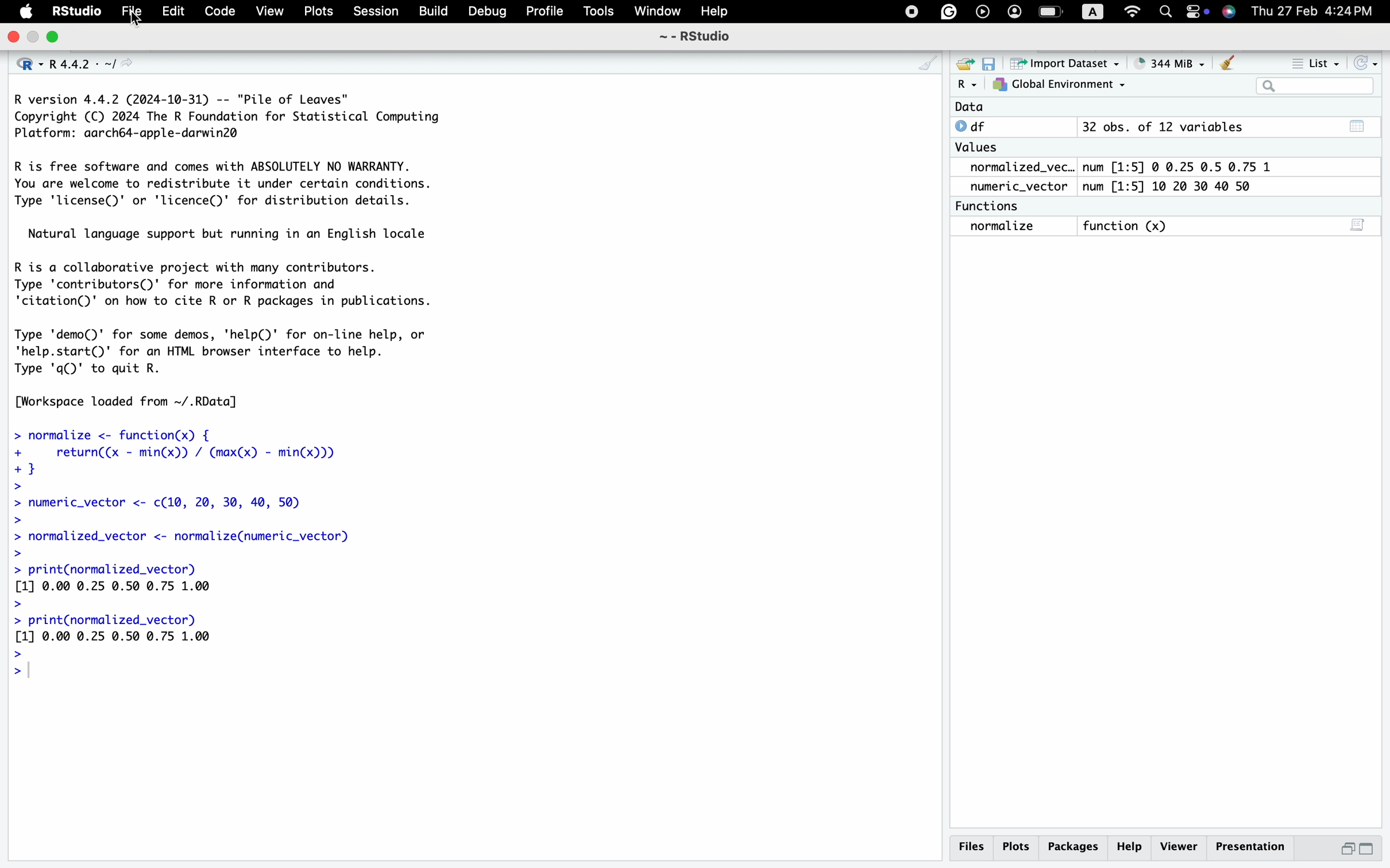 The height and width of the screenshot is (868, 1390). What do you see at coordinates (74, 13) in the screenshot?
I see `RStudio` at bounding box center [74, 13].